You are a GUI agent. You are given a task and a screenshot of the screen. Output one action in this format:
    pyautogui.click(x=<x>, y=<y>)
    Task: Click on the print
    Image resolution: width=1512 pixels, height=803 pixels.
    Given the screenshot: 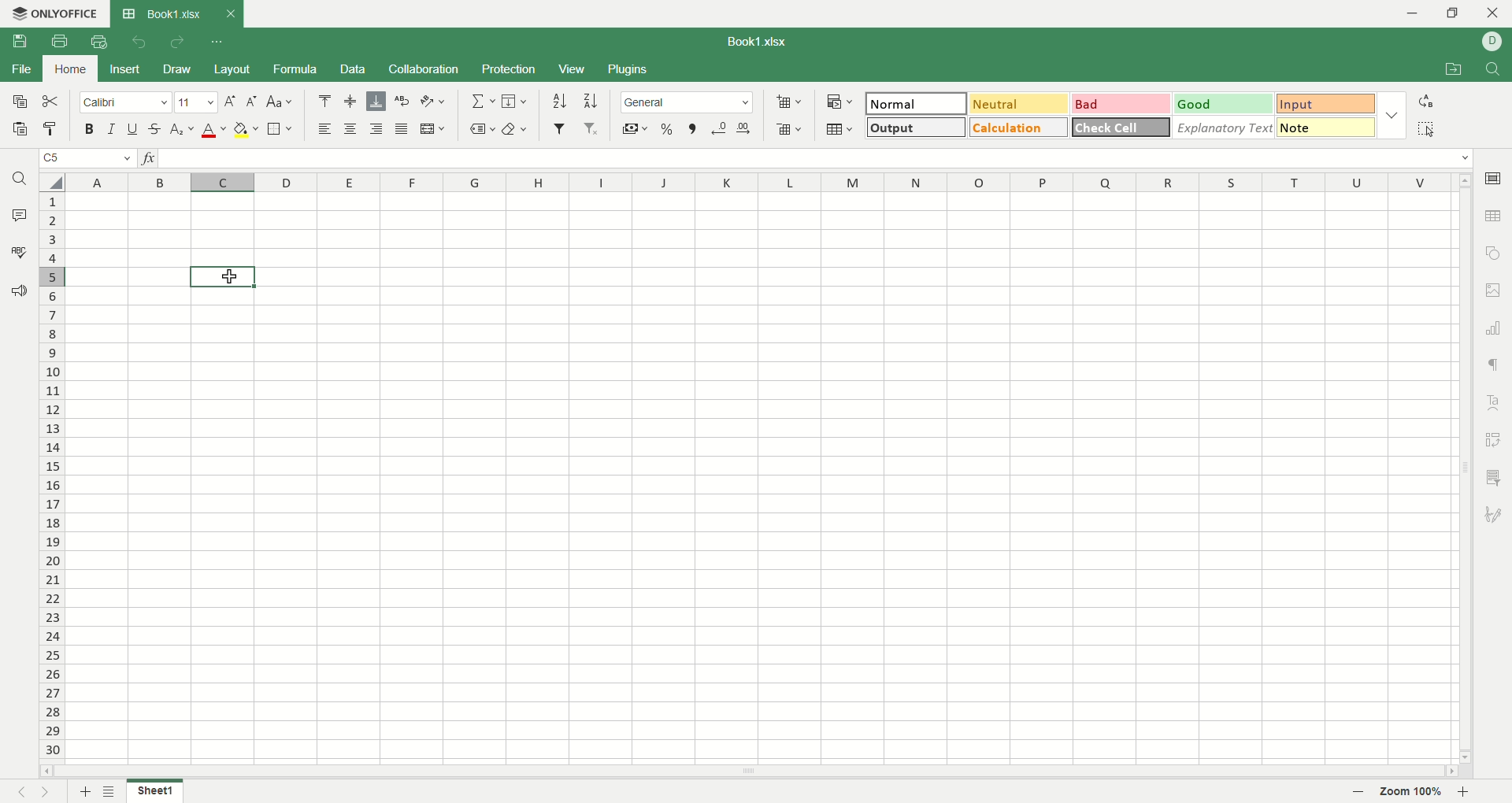 What is the action you would take?
    pyautogui.click(x=59, y=41)
    